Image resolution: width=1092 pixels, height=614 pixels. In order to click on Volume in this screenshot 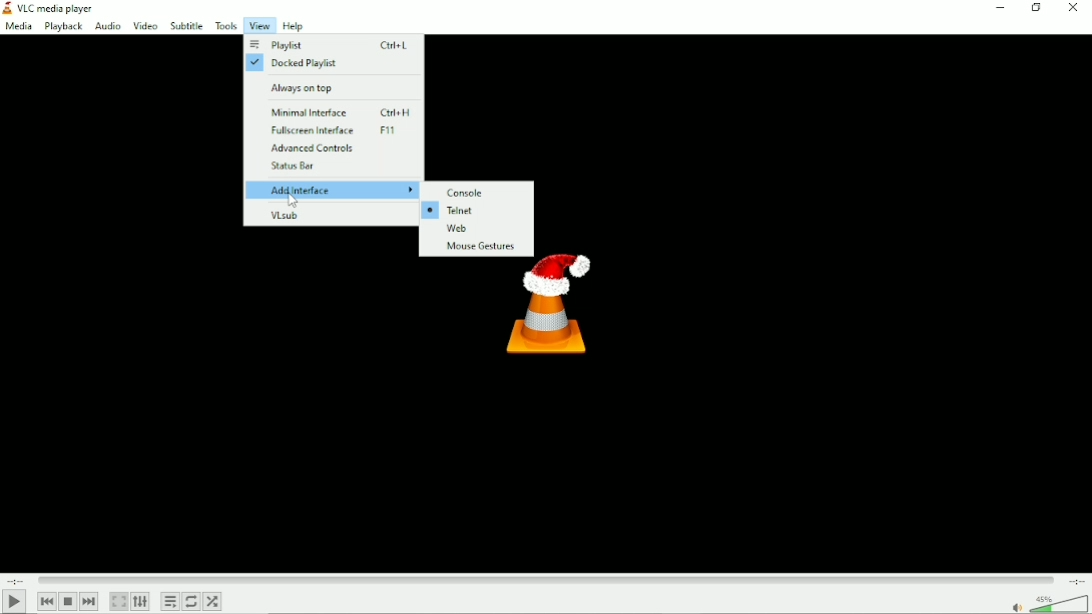, I will do `click(1046, 603)`.